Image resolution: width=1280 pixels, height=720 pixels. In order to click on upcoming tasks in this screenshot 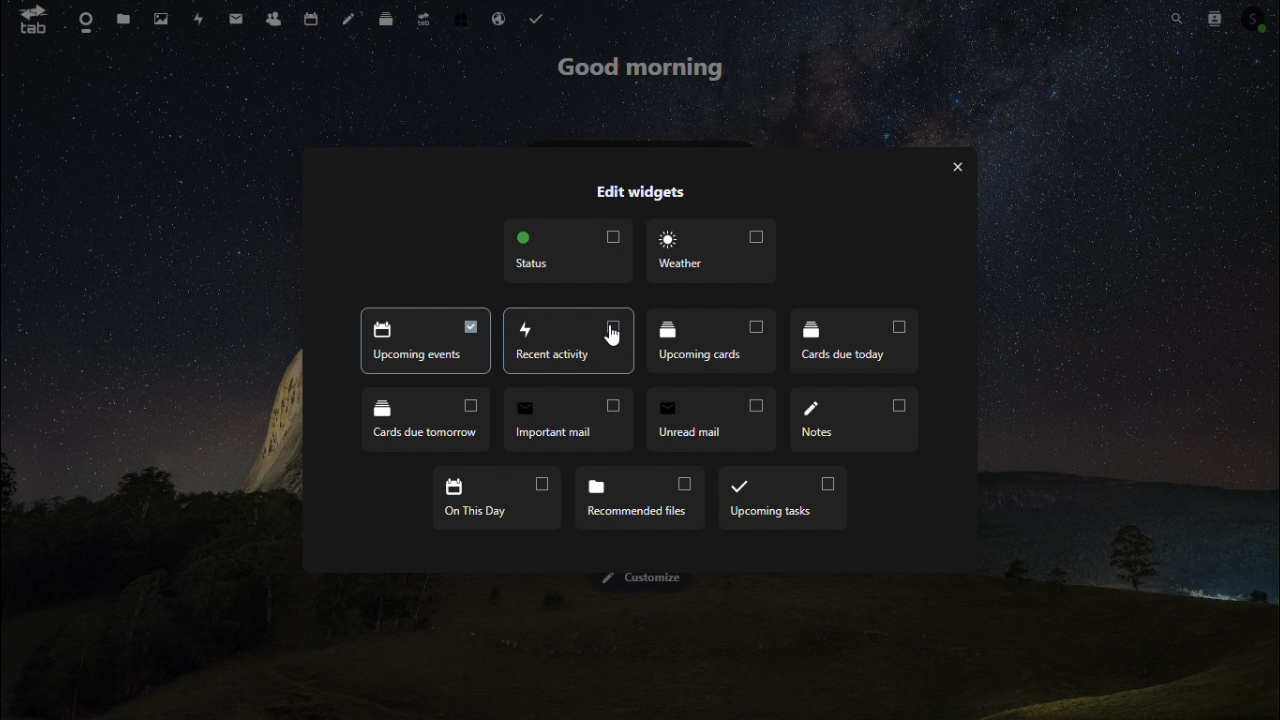, I will do `click(782, 497)`.